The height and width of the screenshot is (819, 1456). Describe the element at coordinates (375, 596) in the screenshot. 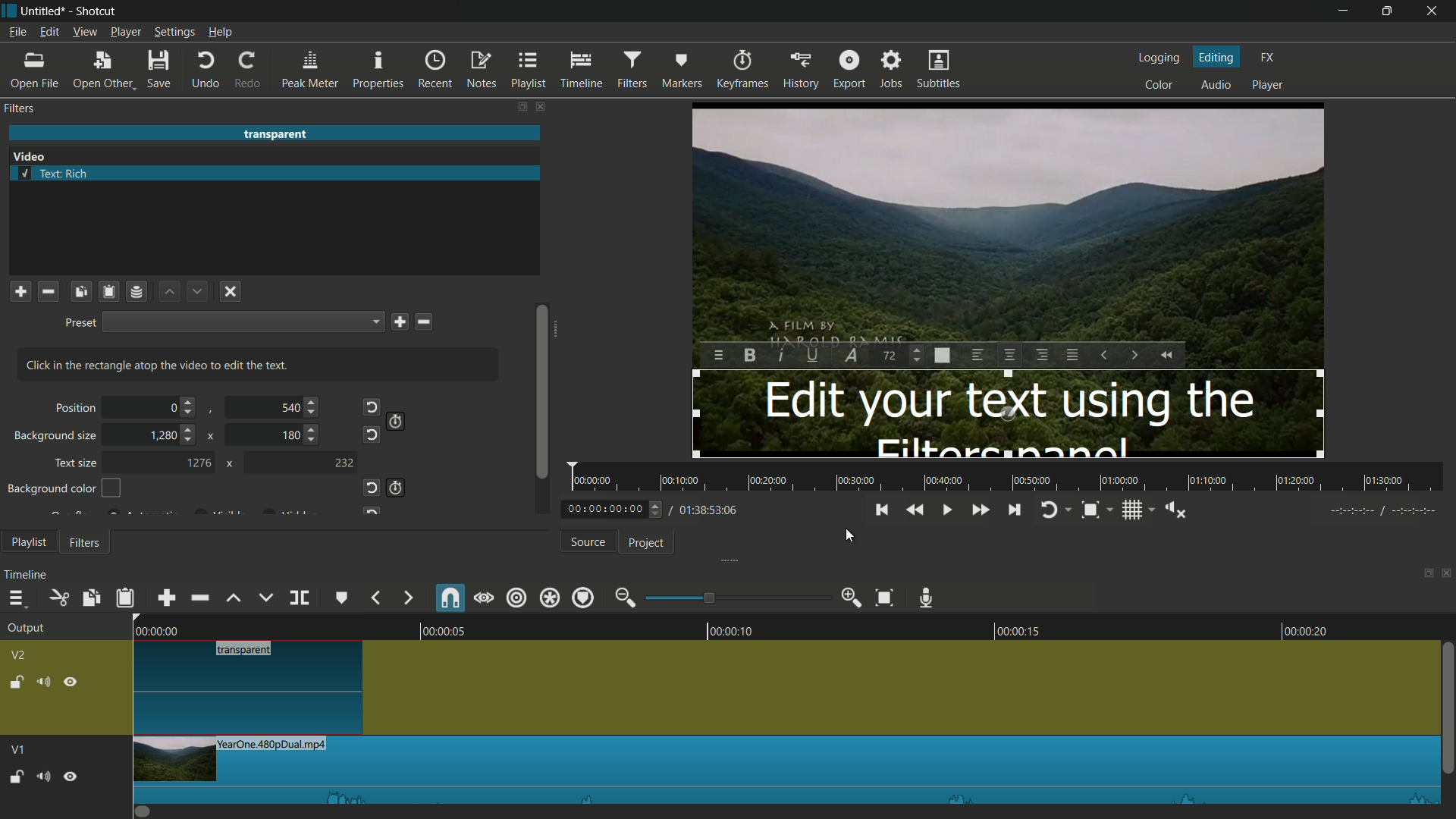

I see `backward` at that location.